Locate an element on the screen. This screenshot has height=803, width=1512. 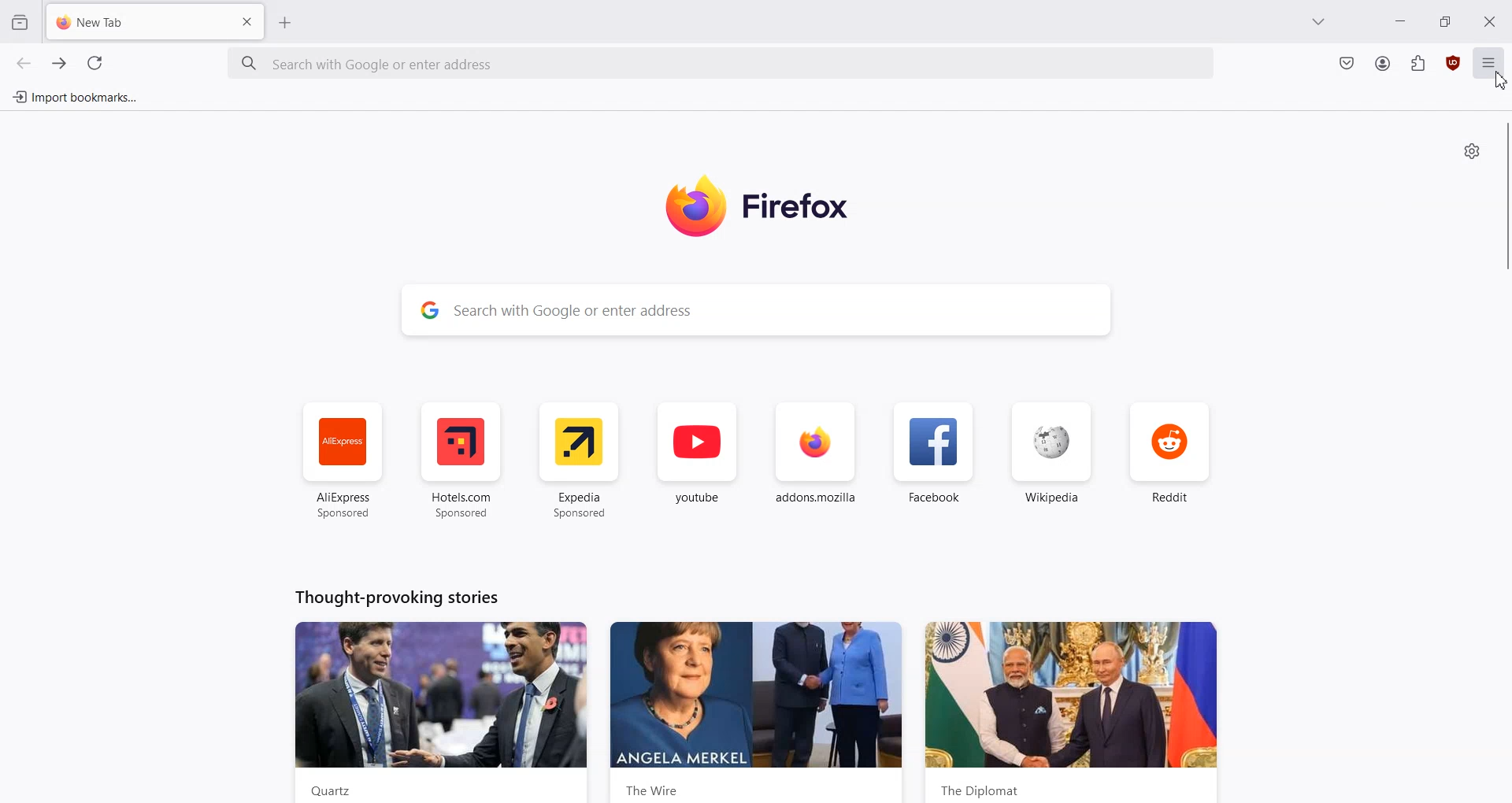
uBlock Origin is located at coordinates (1455, 63).